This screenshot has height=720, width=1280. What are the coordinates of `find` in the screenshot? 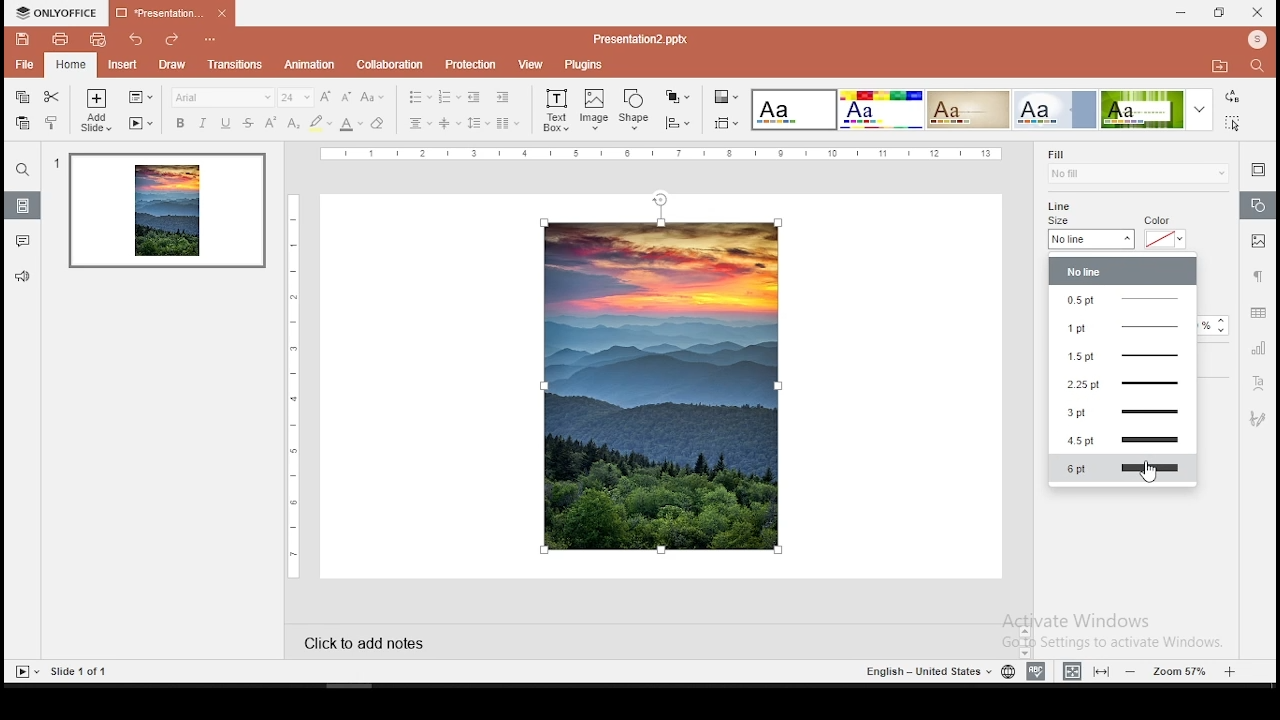 It's located at (24, 171).